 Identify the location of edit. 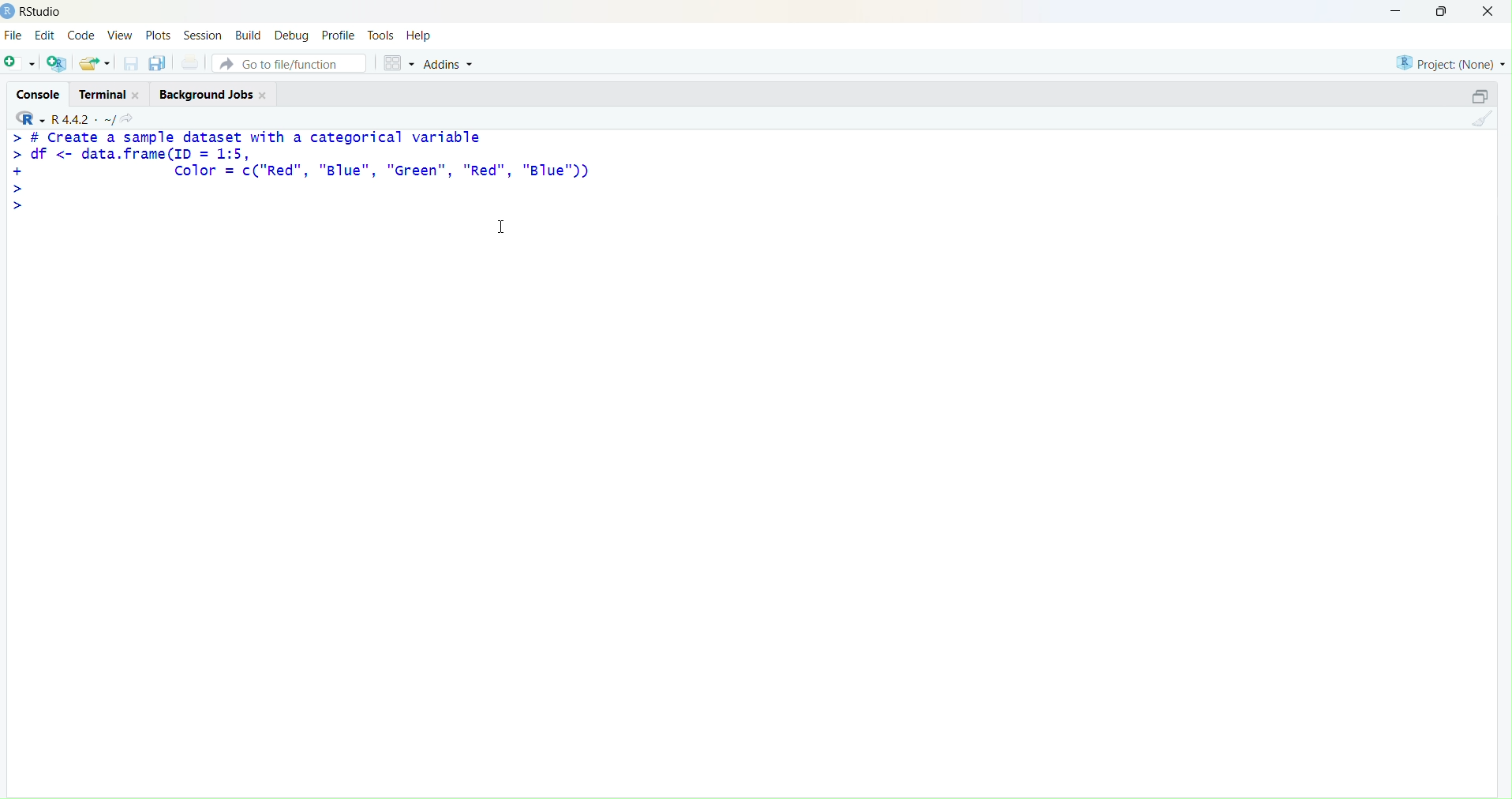
(46, 35).